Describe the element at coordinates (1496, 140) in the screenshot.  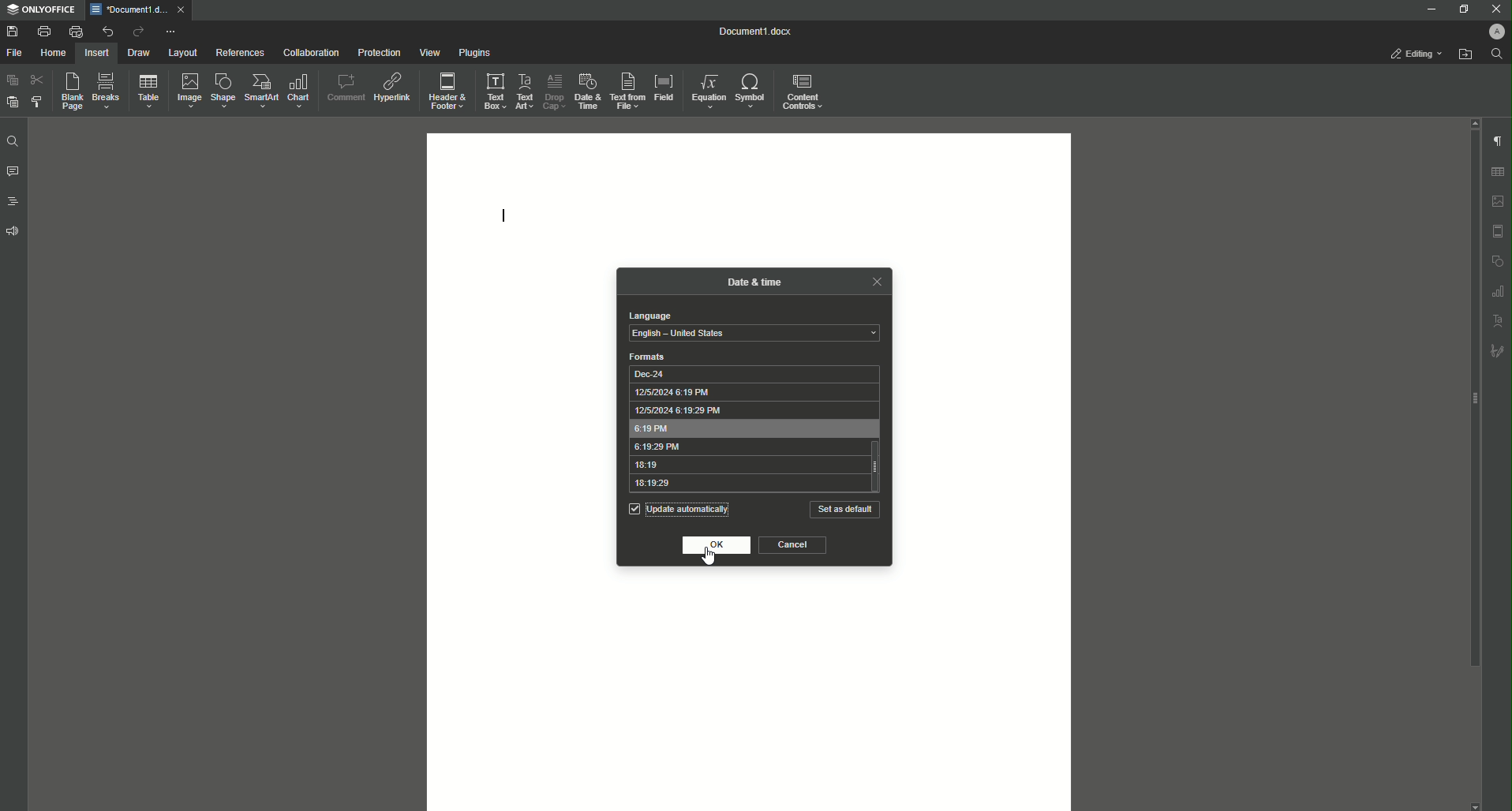
I see `Paragraph Settings` at that location.